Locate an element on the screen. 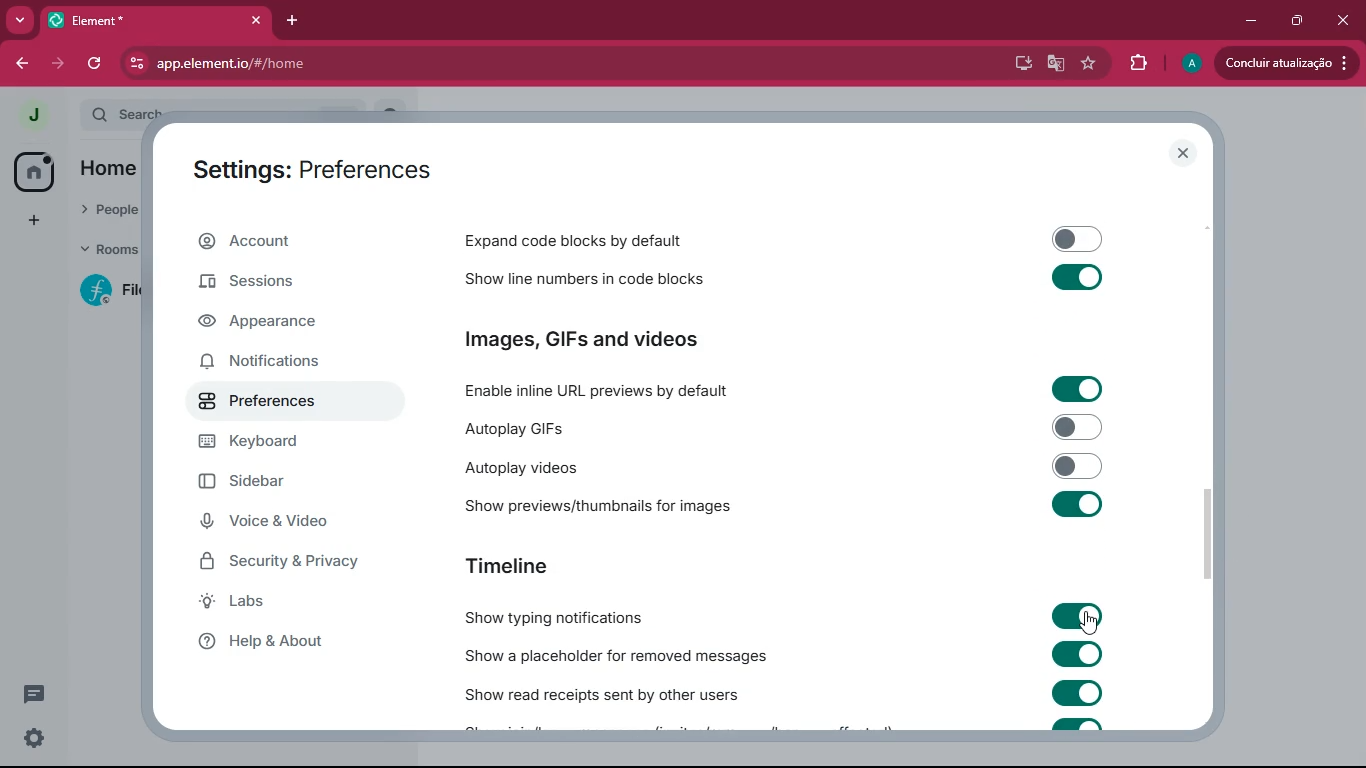  maximize is located at coordinates (1299, 21).